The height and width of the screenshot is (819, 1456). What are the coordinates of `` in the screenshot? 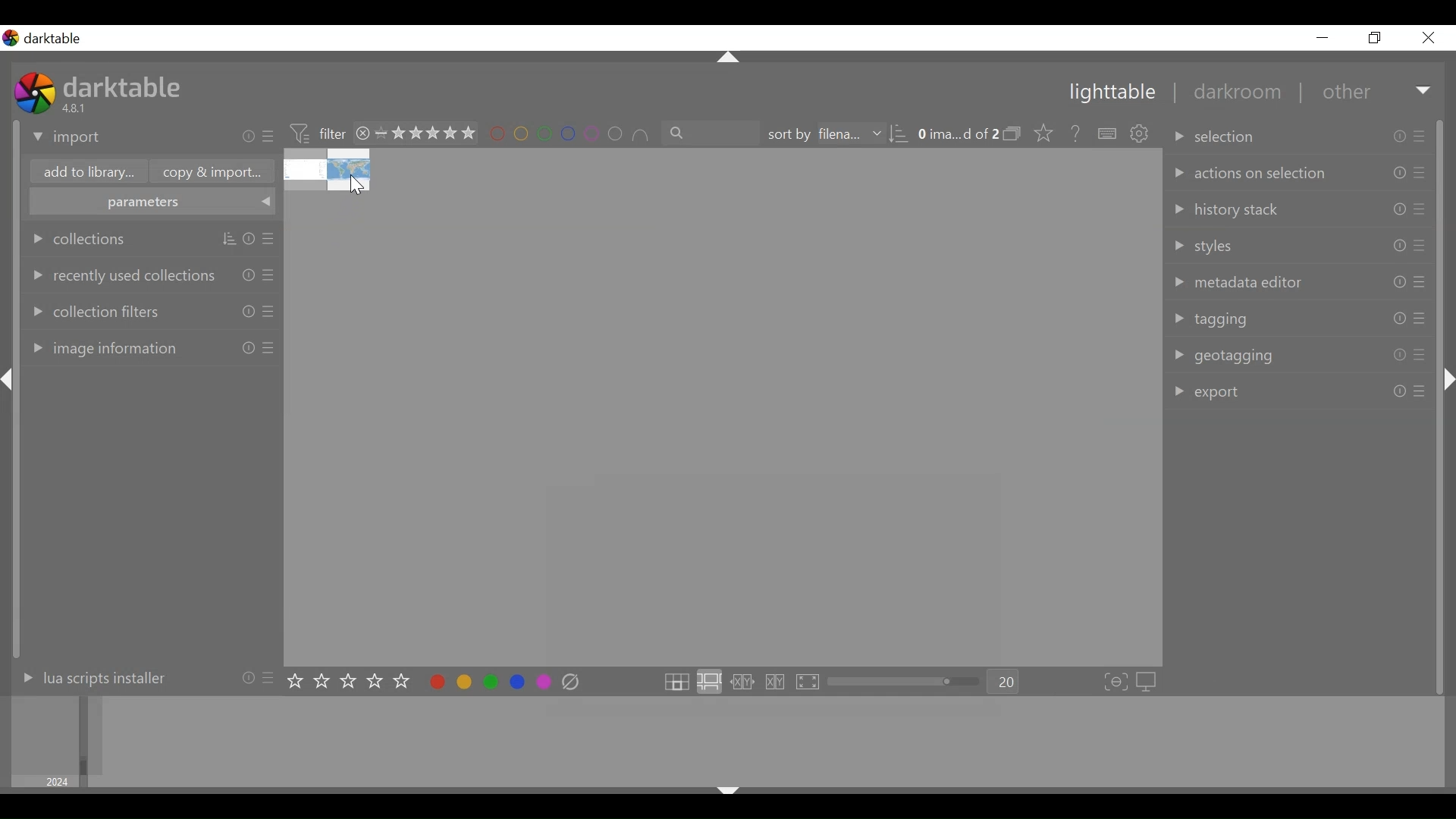 It's located at (1424, 283).